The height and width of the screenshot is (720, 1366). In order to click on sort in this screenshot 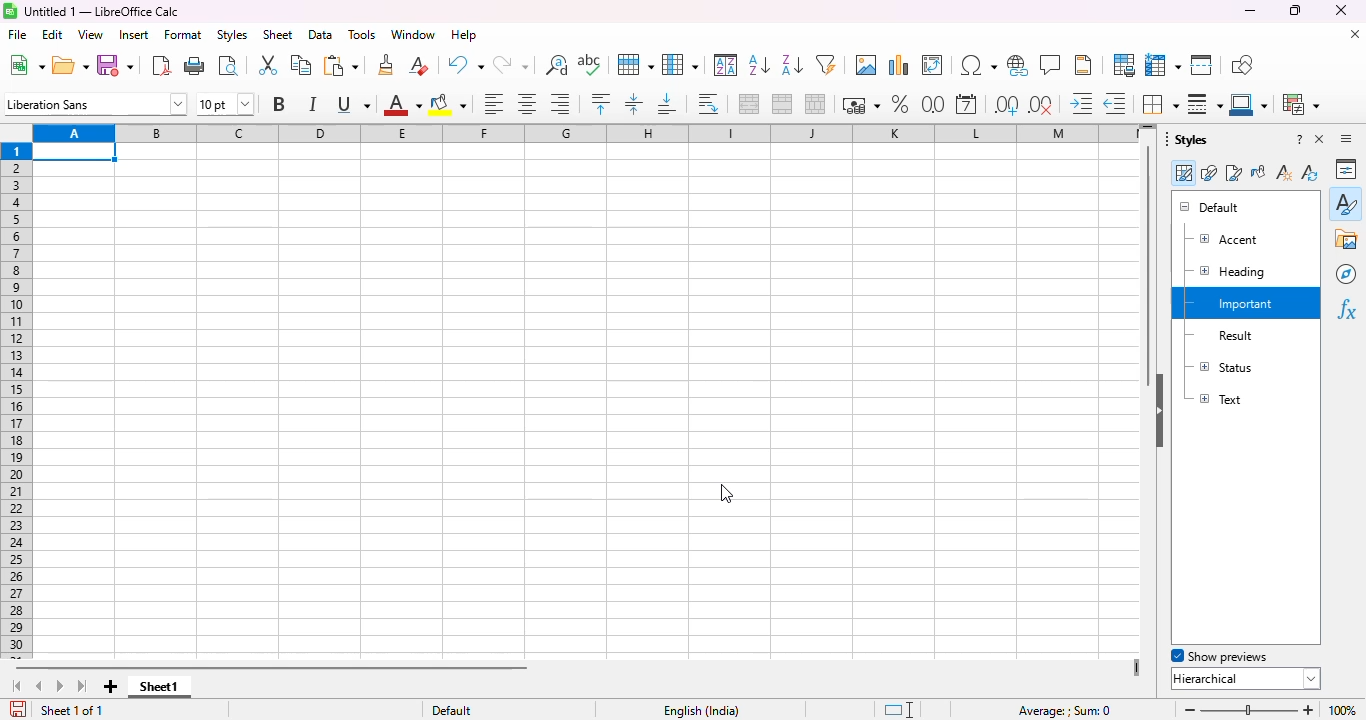, I will do `click(727, 65)`.